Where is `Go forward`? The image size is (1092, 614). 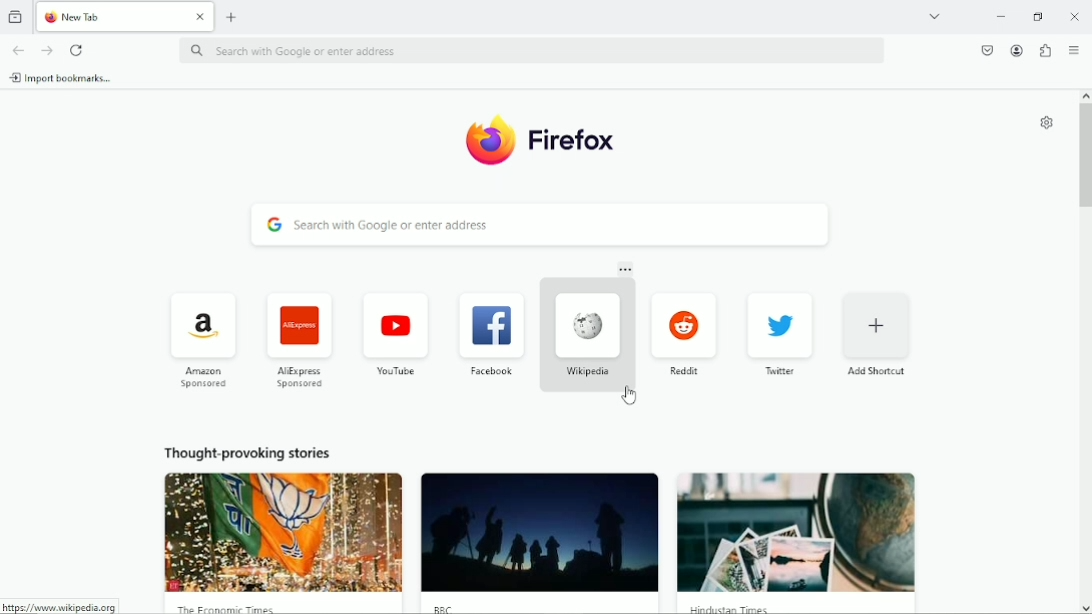
Go forward is located at coordinates (46, 50).